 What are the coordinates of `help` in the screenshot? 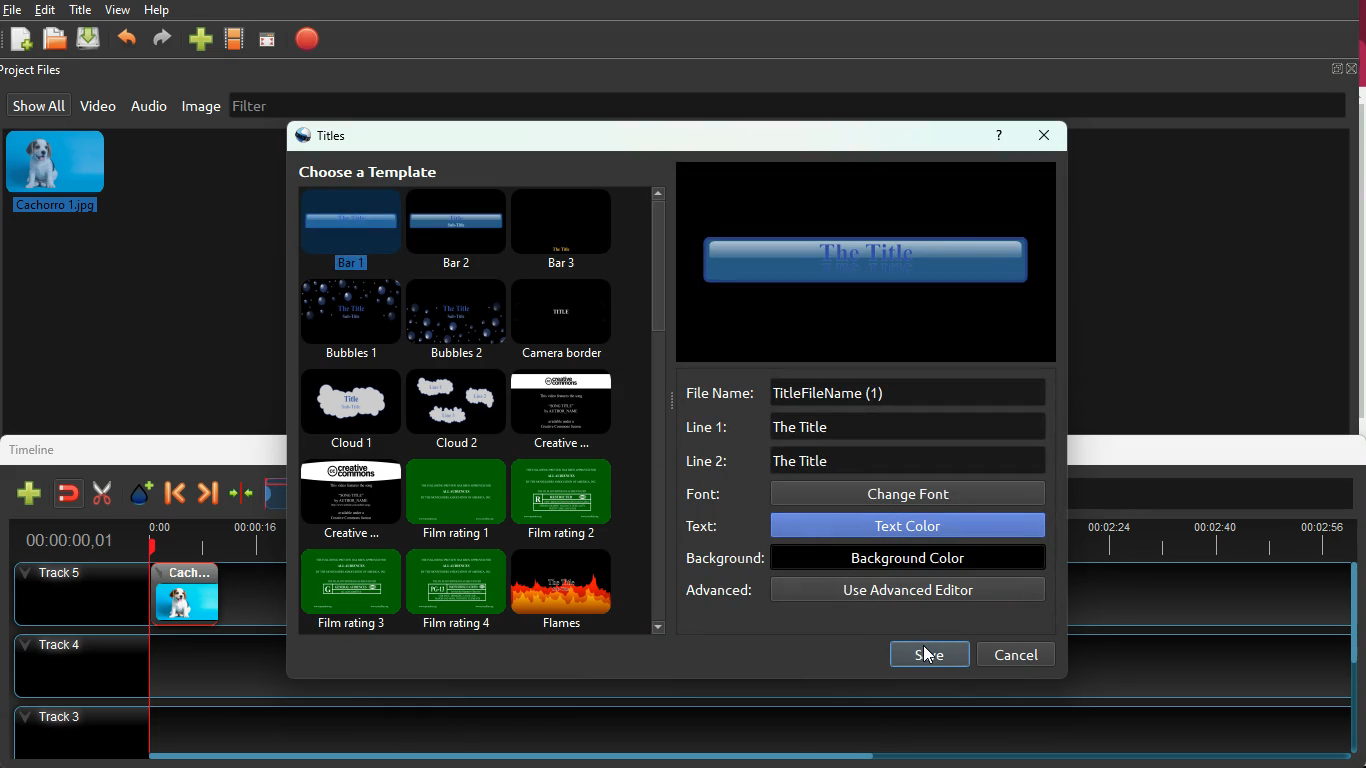 It's located at (1001, 134).